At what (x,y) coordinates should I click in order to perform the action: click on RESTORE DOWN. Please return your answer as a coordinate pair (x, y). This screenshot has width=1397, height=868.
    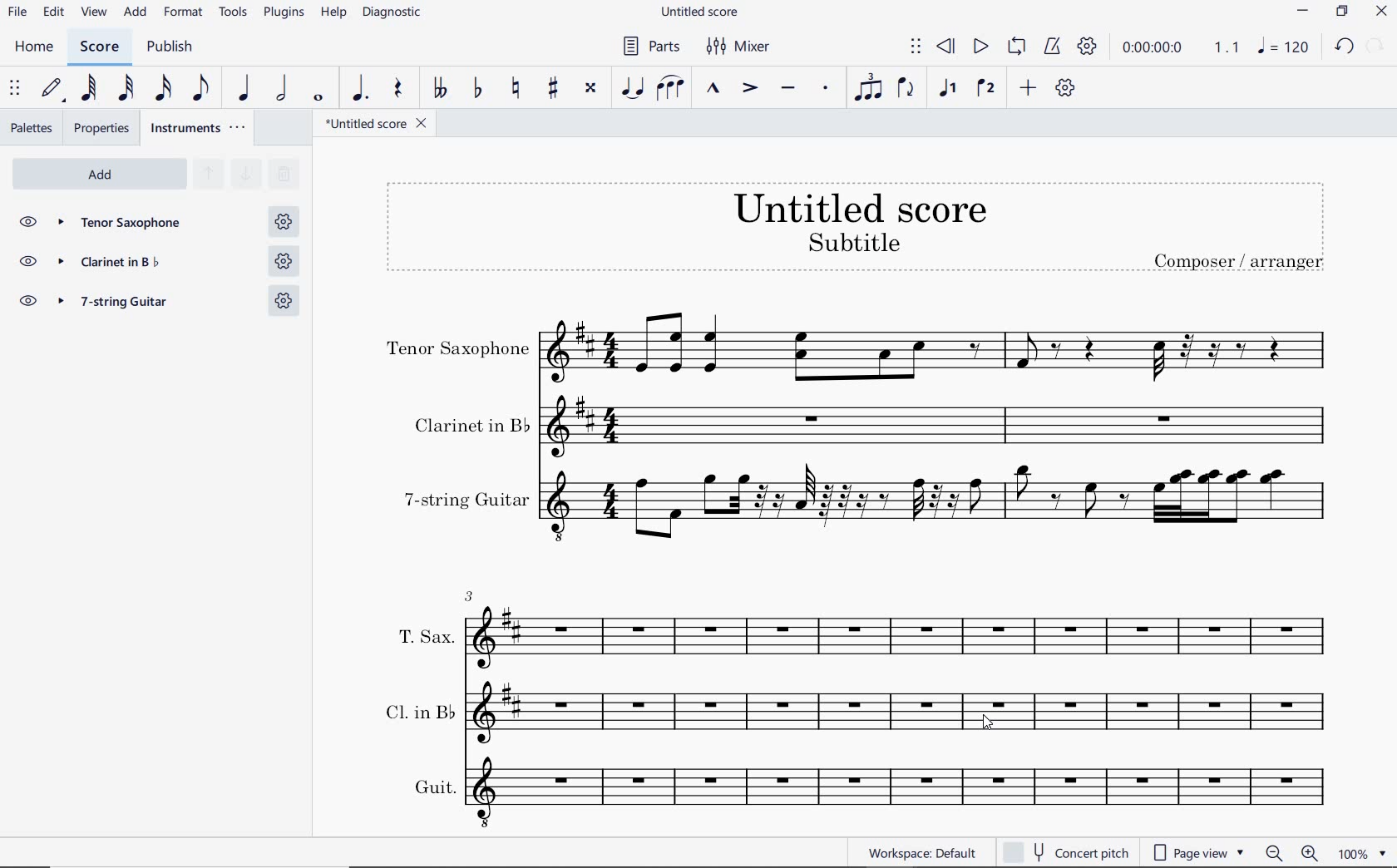
    Looking at the image, I should click on (1345, 12).